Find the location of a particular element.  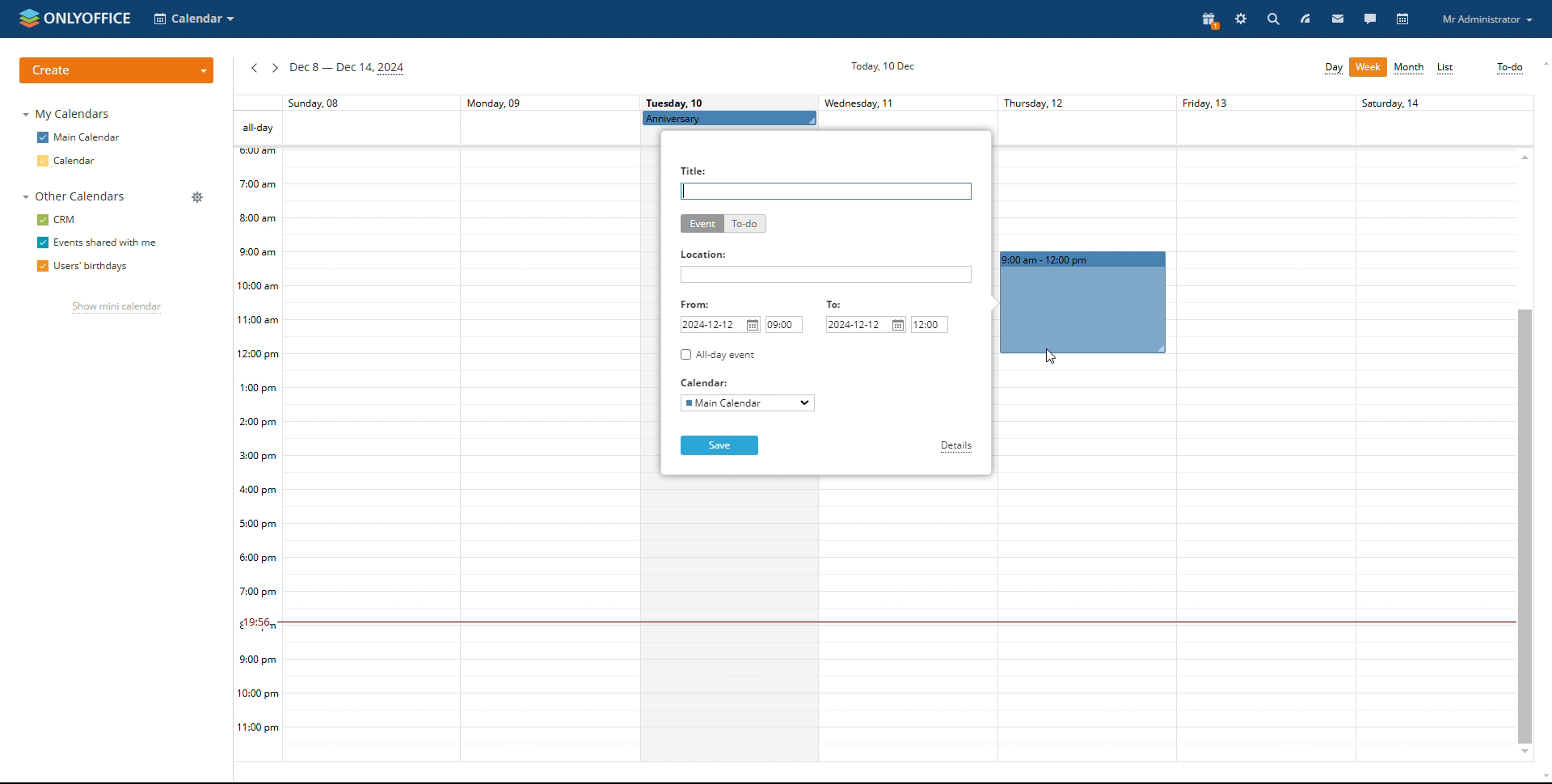

scroll up is located at coordinates (1525, 156).